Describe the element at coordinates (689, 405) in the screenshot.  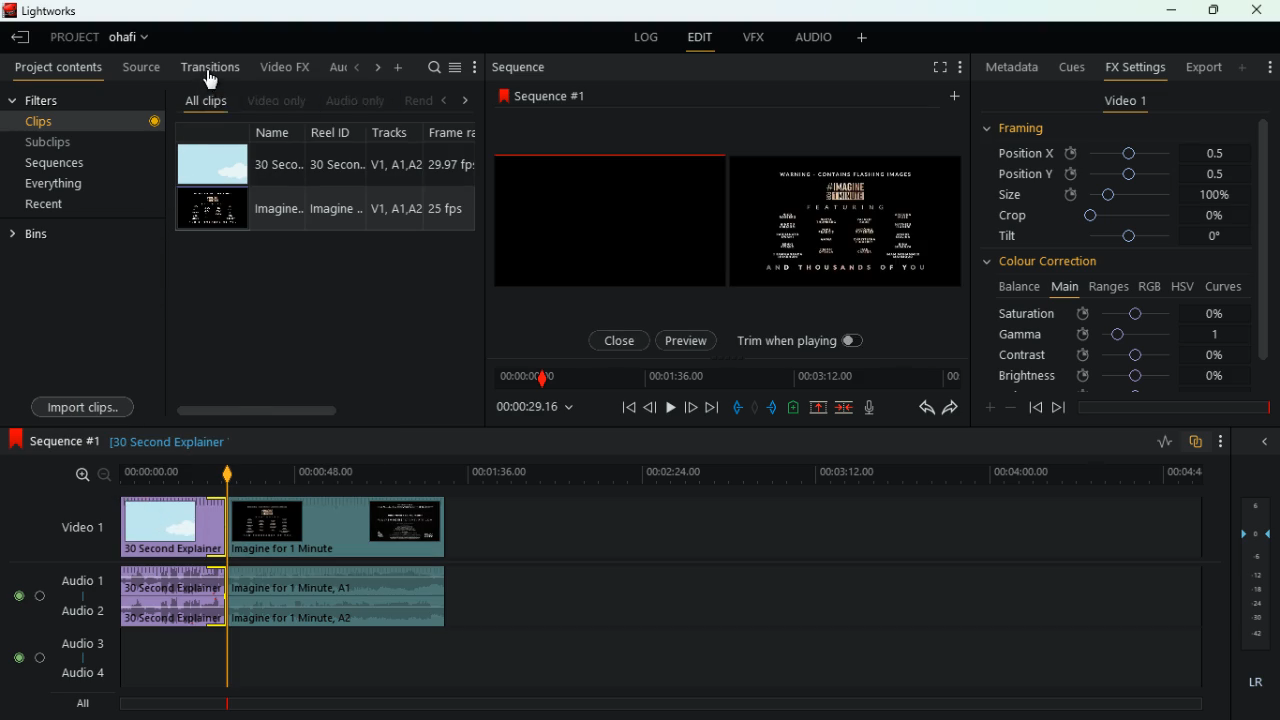
I see `front` at that location.